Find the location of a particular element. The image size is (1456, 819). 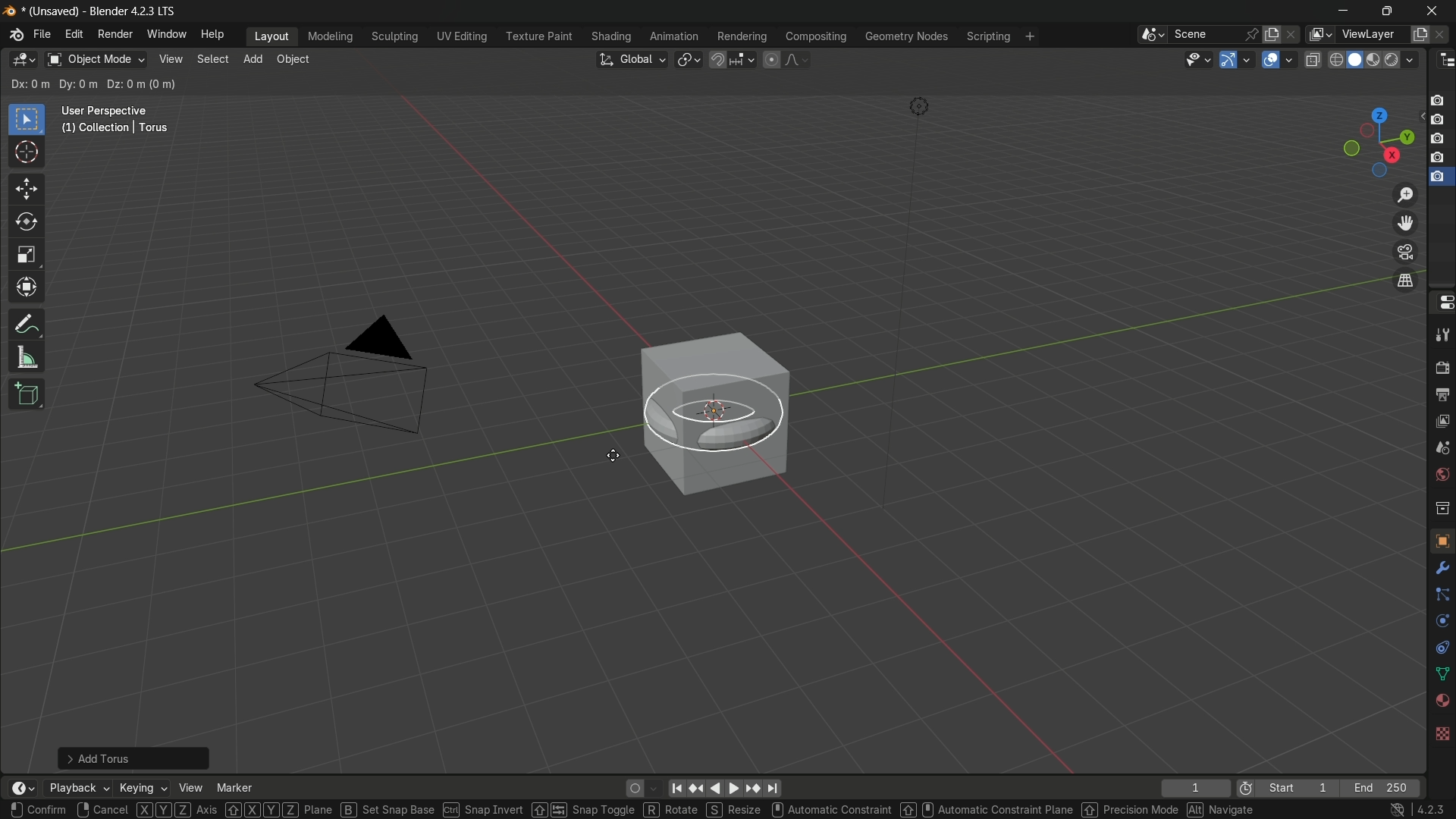

User Perspective is located at coordinates (108, 111).